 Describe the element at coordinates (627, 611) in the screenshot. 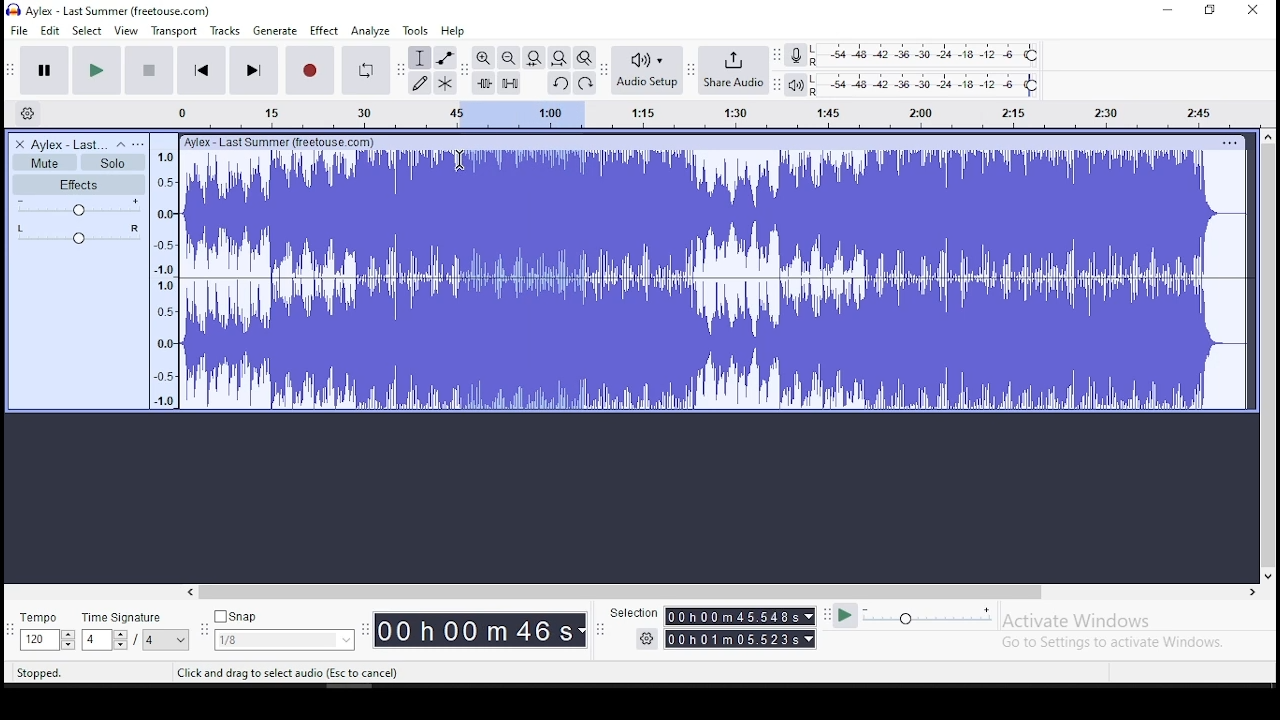

I see `Selection` at that location.